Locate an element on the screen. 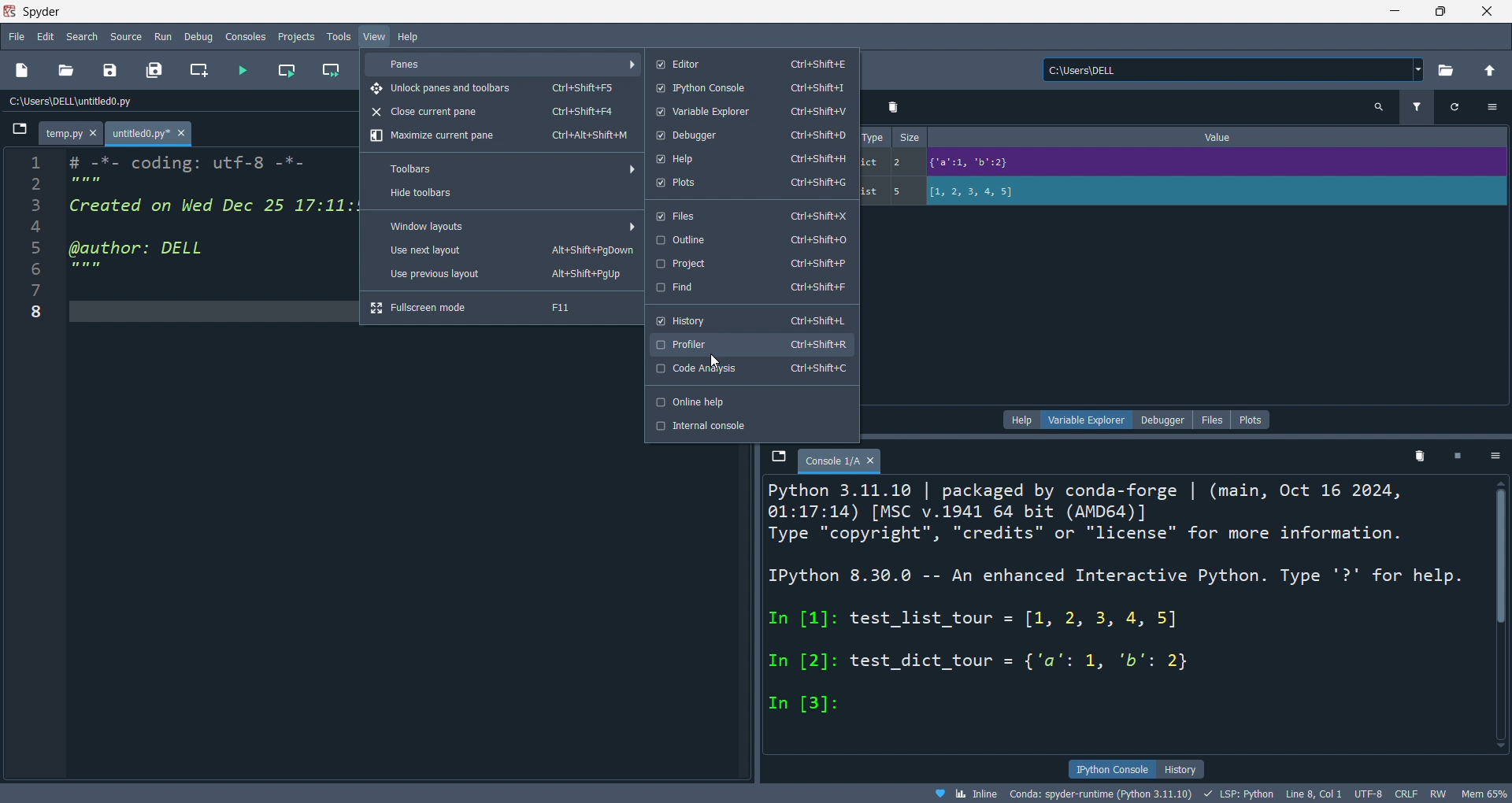  python console is located at coordinates (754, 89).